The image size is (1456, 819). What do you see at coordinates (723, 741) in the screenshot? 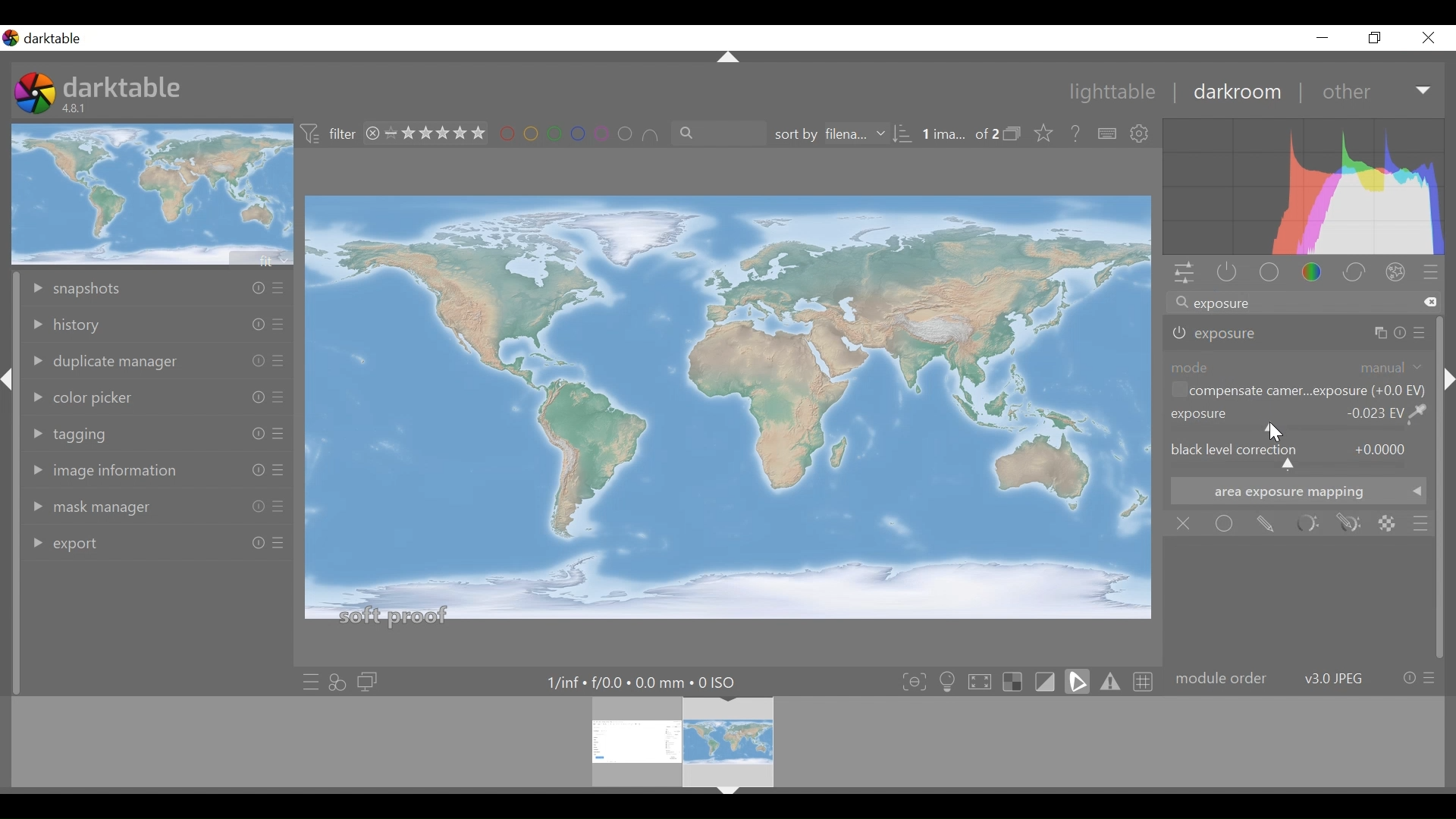
I see `filmstrip` at bounding box center [723, 741].